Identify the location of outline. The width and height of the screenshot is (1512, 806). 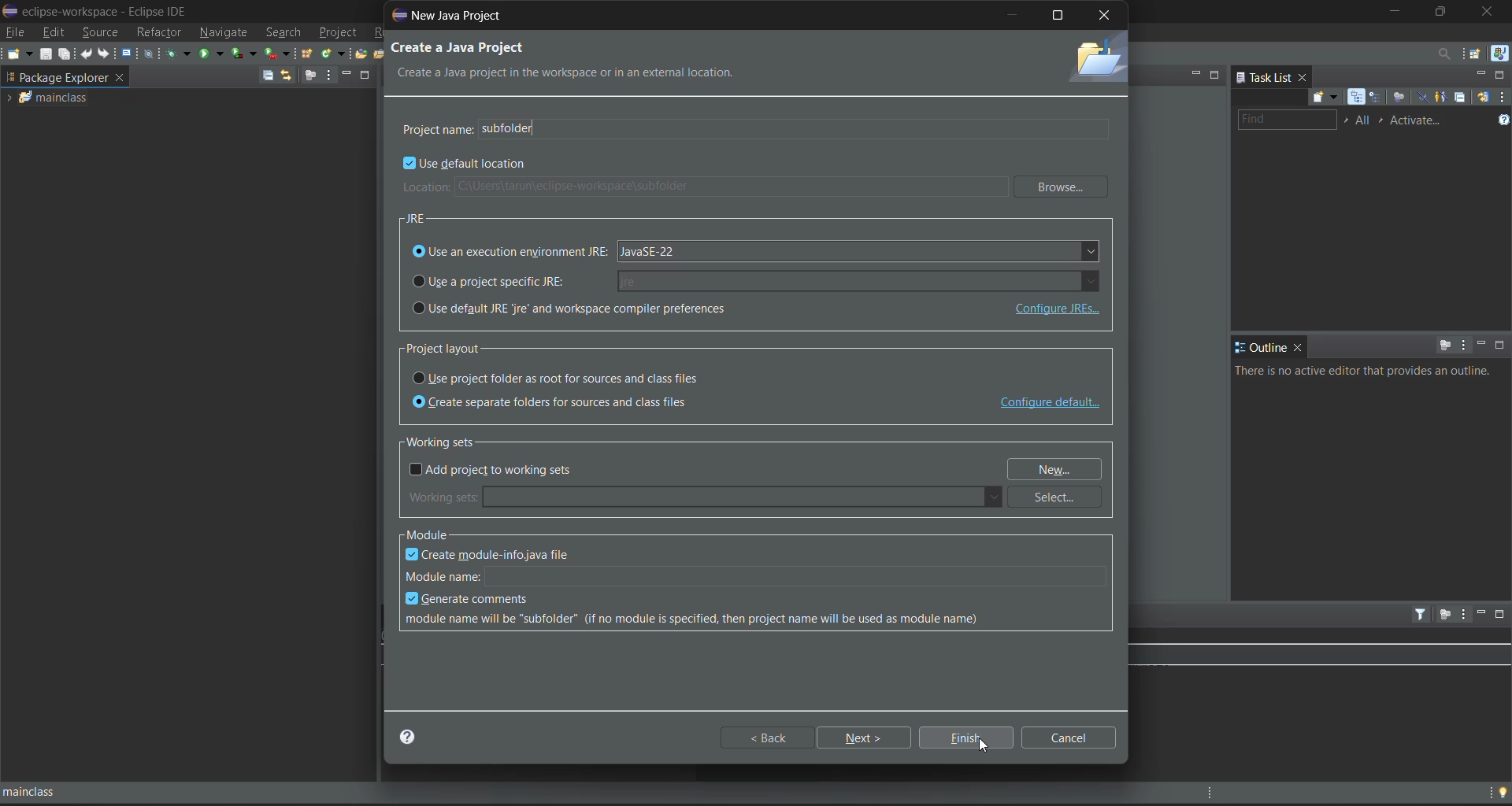
(1261, 348).